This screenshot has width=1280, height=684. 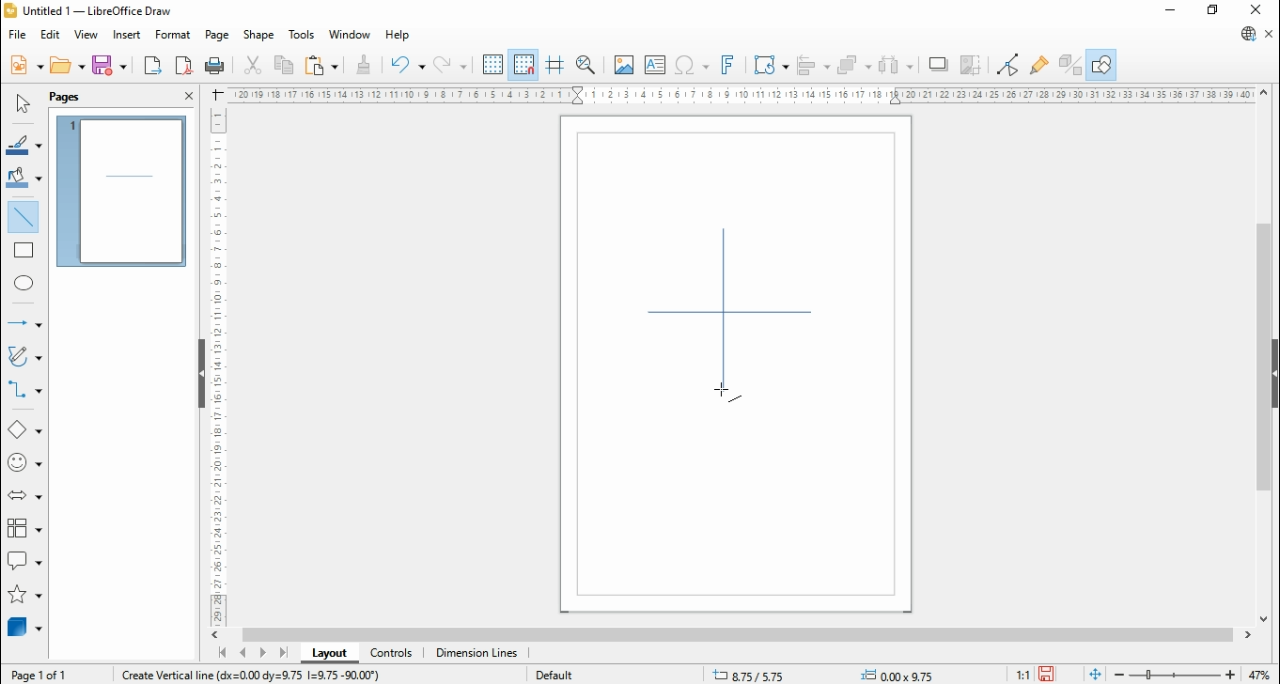 What do you see at coordinates (303, 35) in the screenshot?
I see `tools` at bounding box center [303, 35].